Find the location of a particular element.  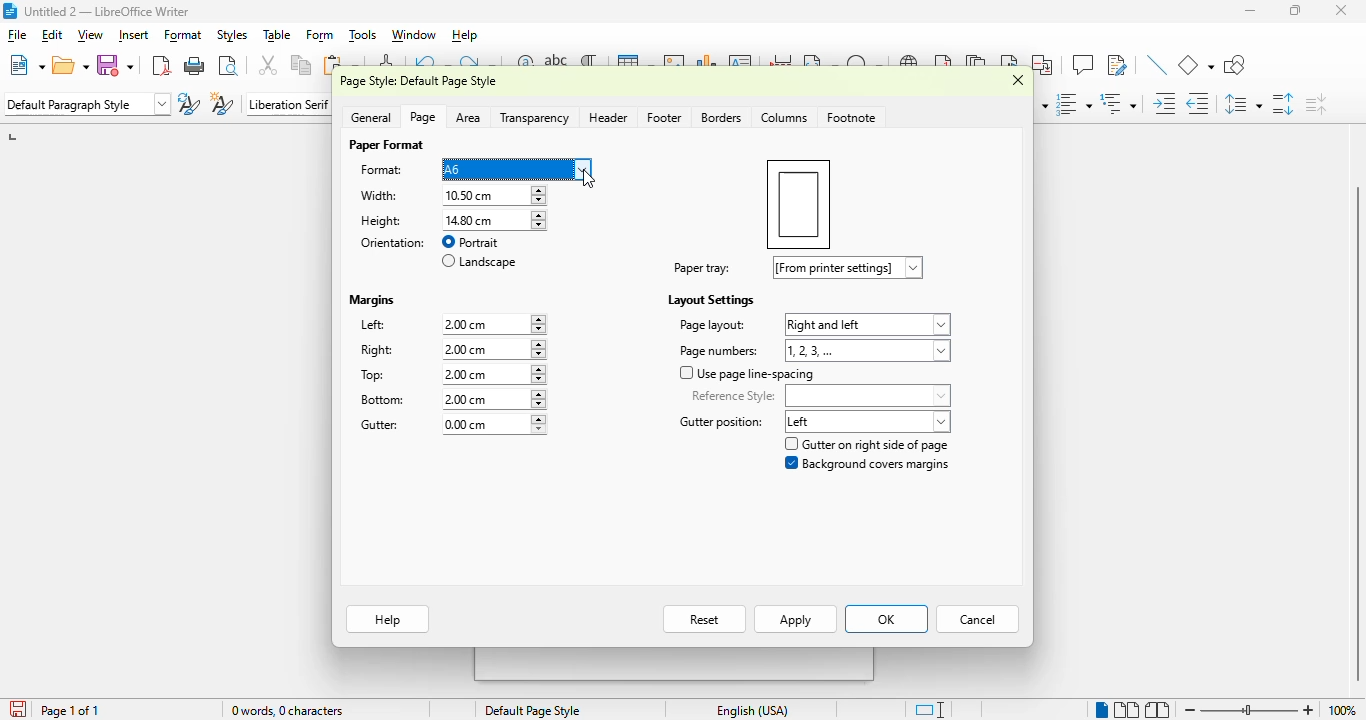

font name is located at coordinates (289, 103).